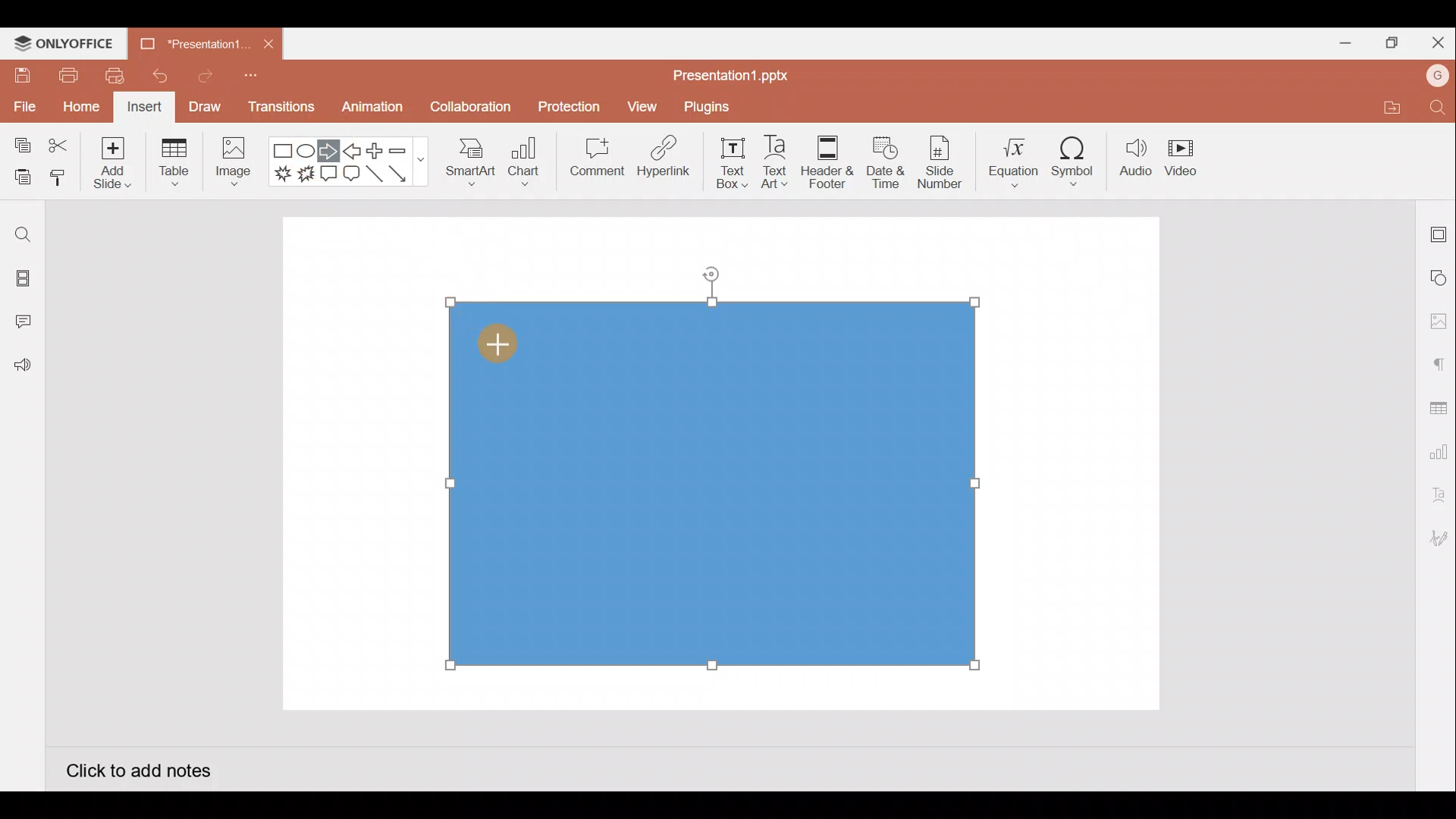 The image size is (1456, 819). I want to click on Collaboration, so click(469, 113).